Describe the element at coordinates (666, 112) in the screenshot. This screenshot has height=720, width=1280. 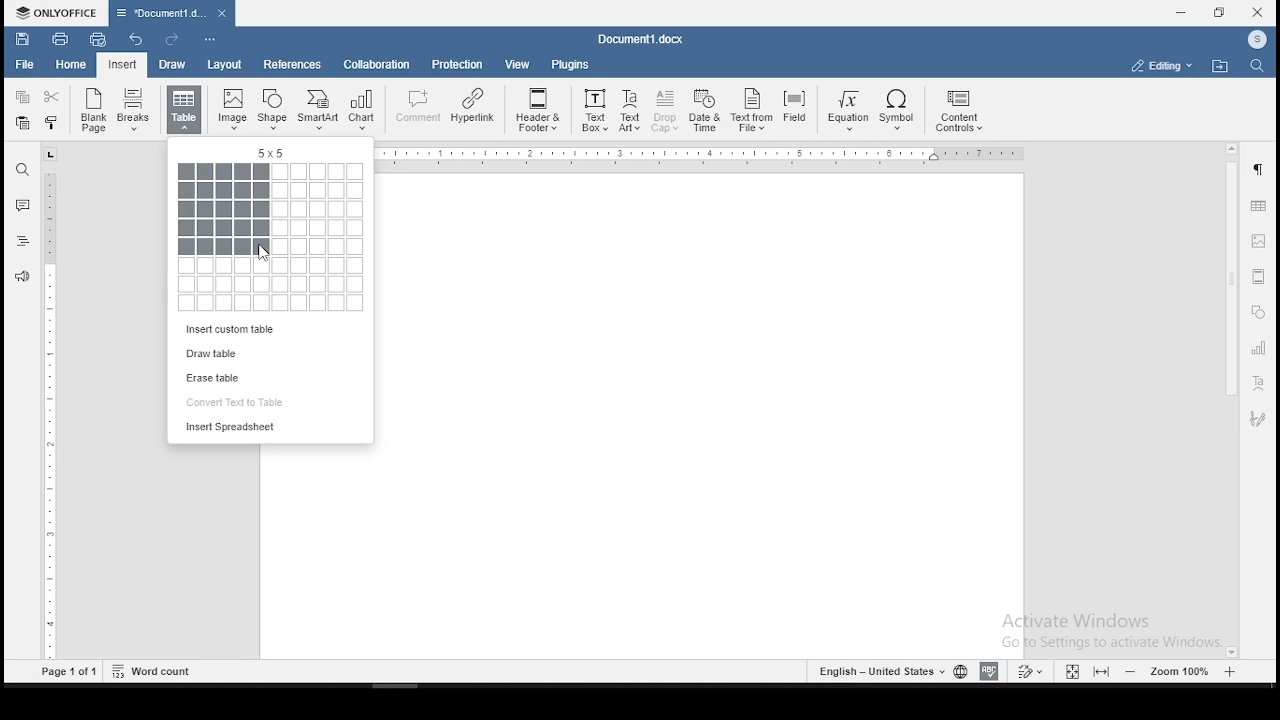
I see `Drop Cap` at that location.